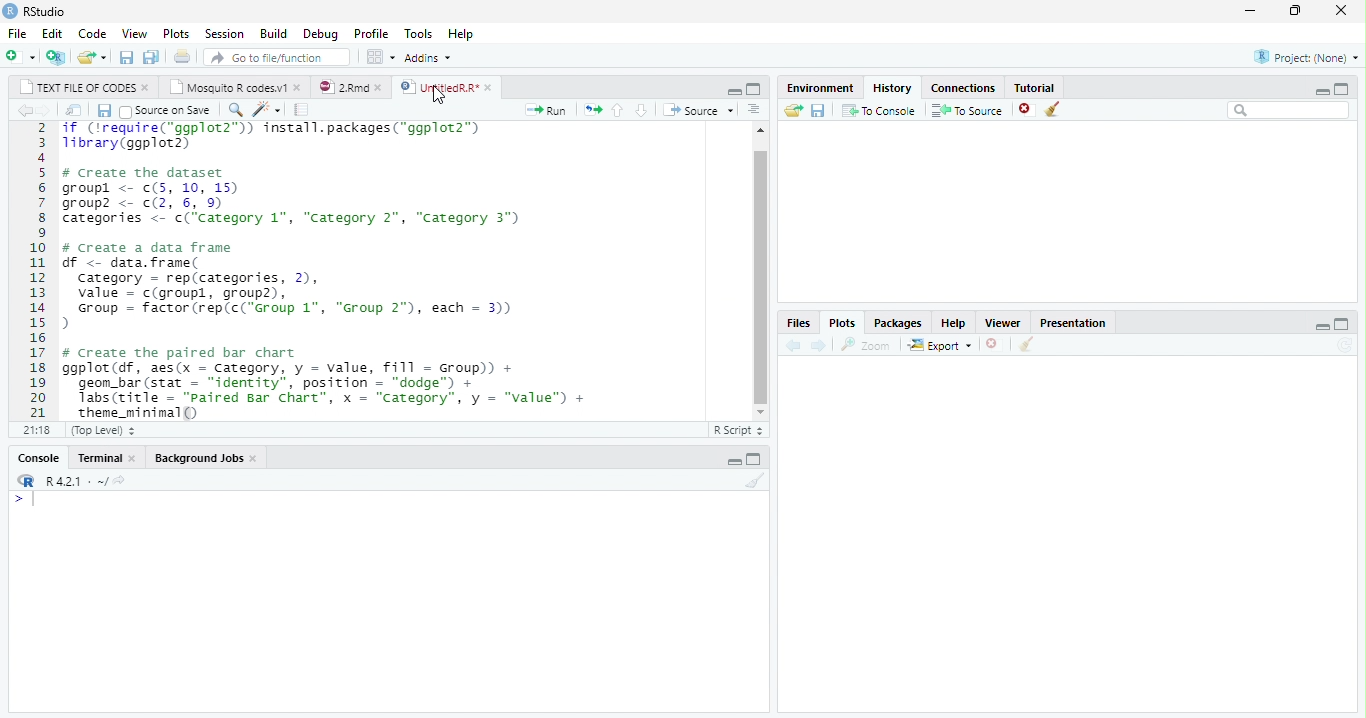 The height and width of the screenshot is (718, 1366). Describe the element at coordinates (415, 33) in the screenshot. I see `tools` at that location.